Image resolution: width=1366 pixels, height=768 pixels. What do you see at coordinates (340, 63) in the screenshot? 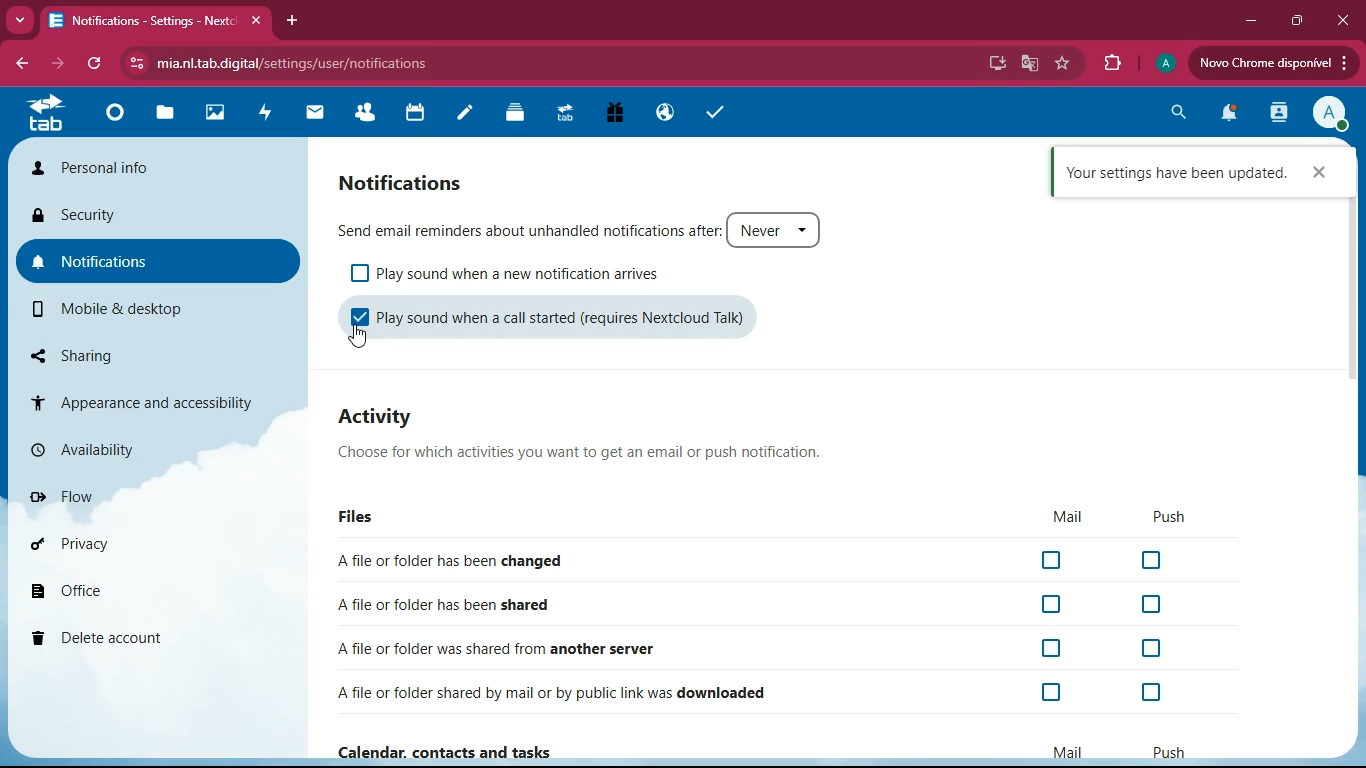
I see `url` at bounding box center [340, 63].